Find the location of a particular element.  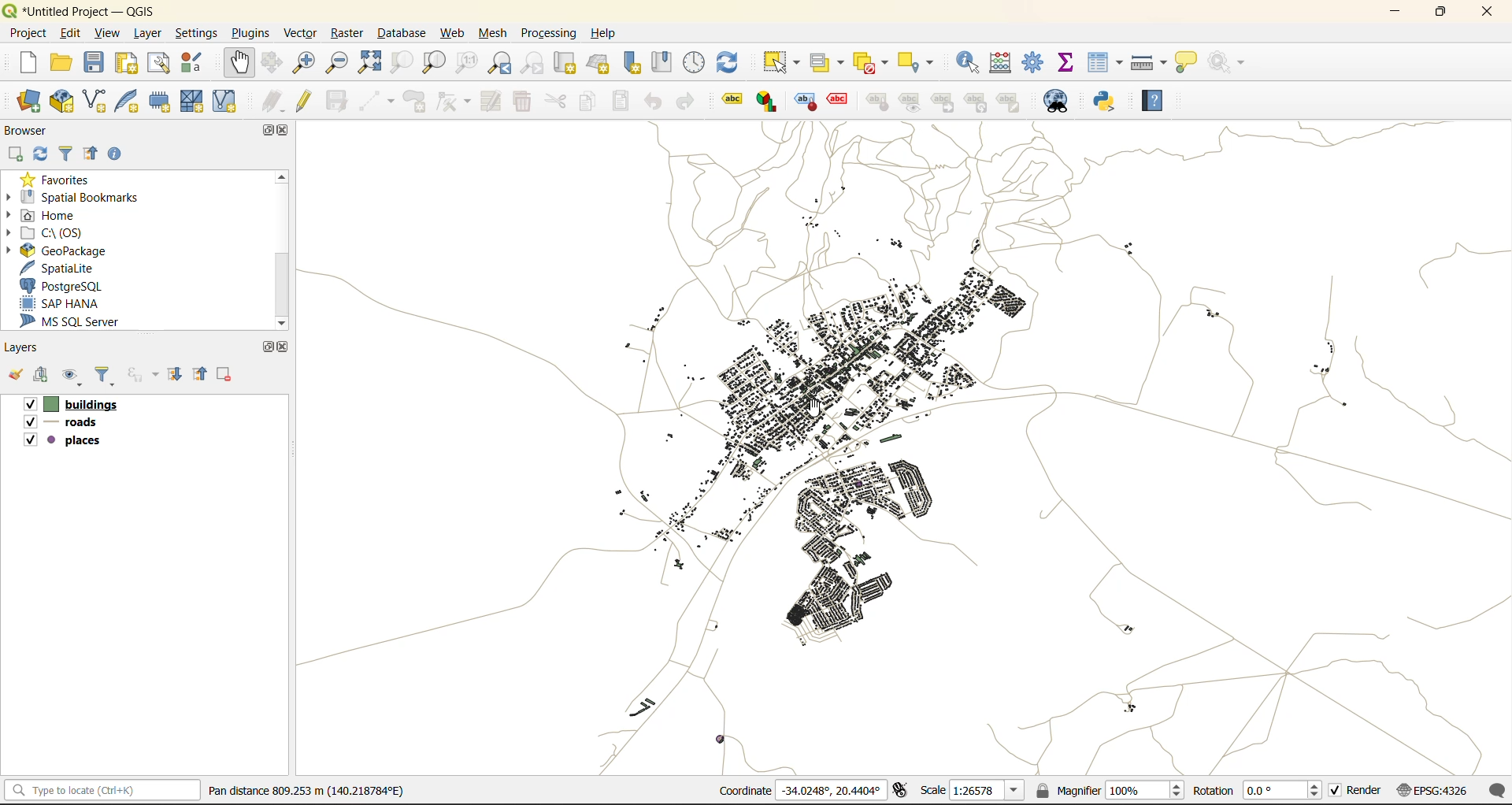

measure line is located at coordinates (1151, 63).